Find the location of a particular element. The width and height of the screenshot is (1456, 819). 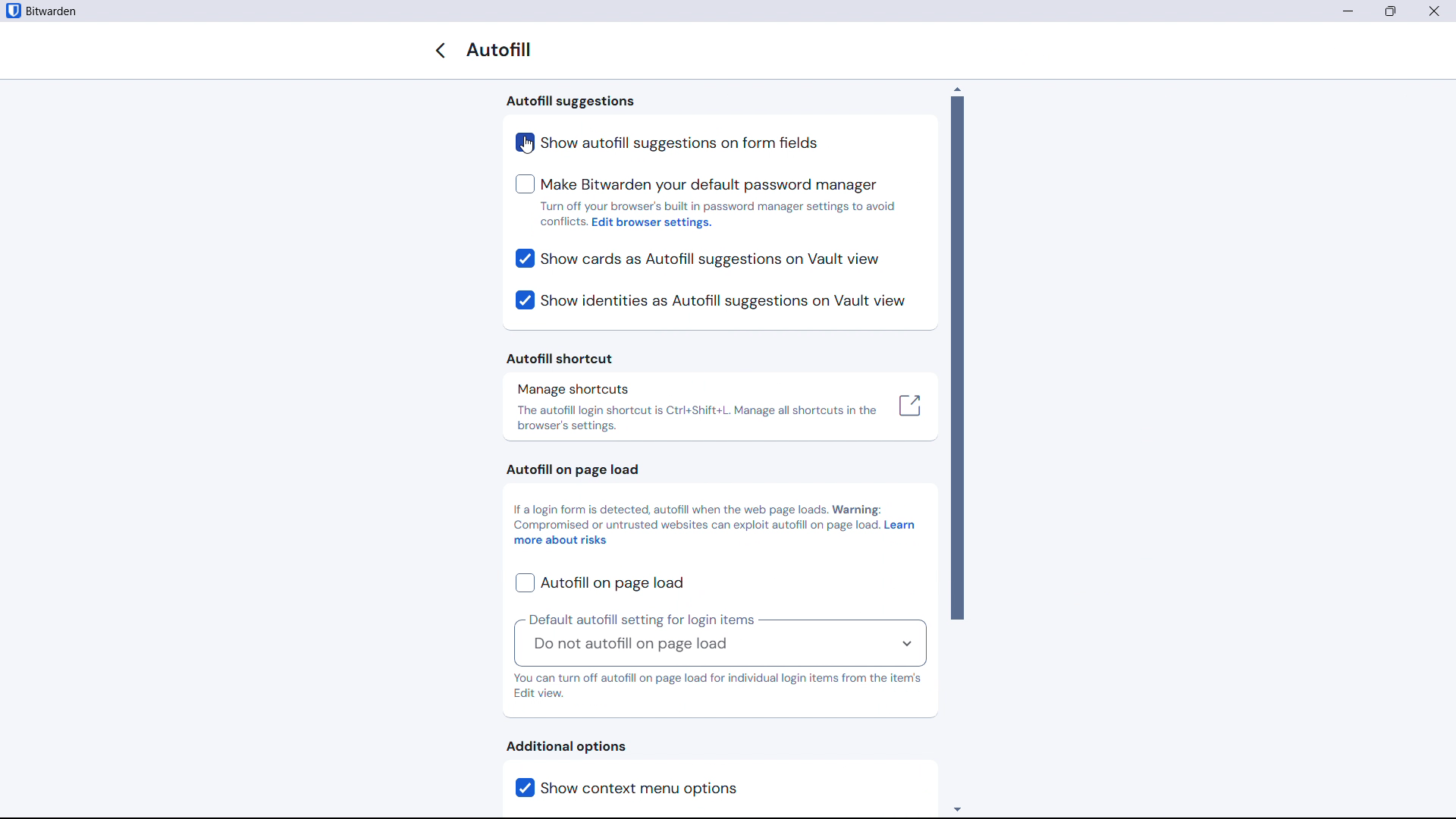

show auto fill suggestions on form fields  is located at coordinates (676, 143).